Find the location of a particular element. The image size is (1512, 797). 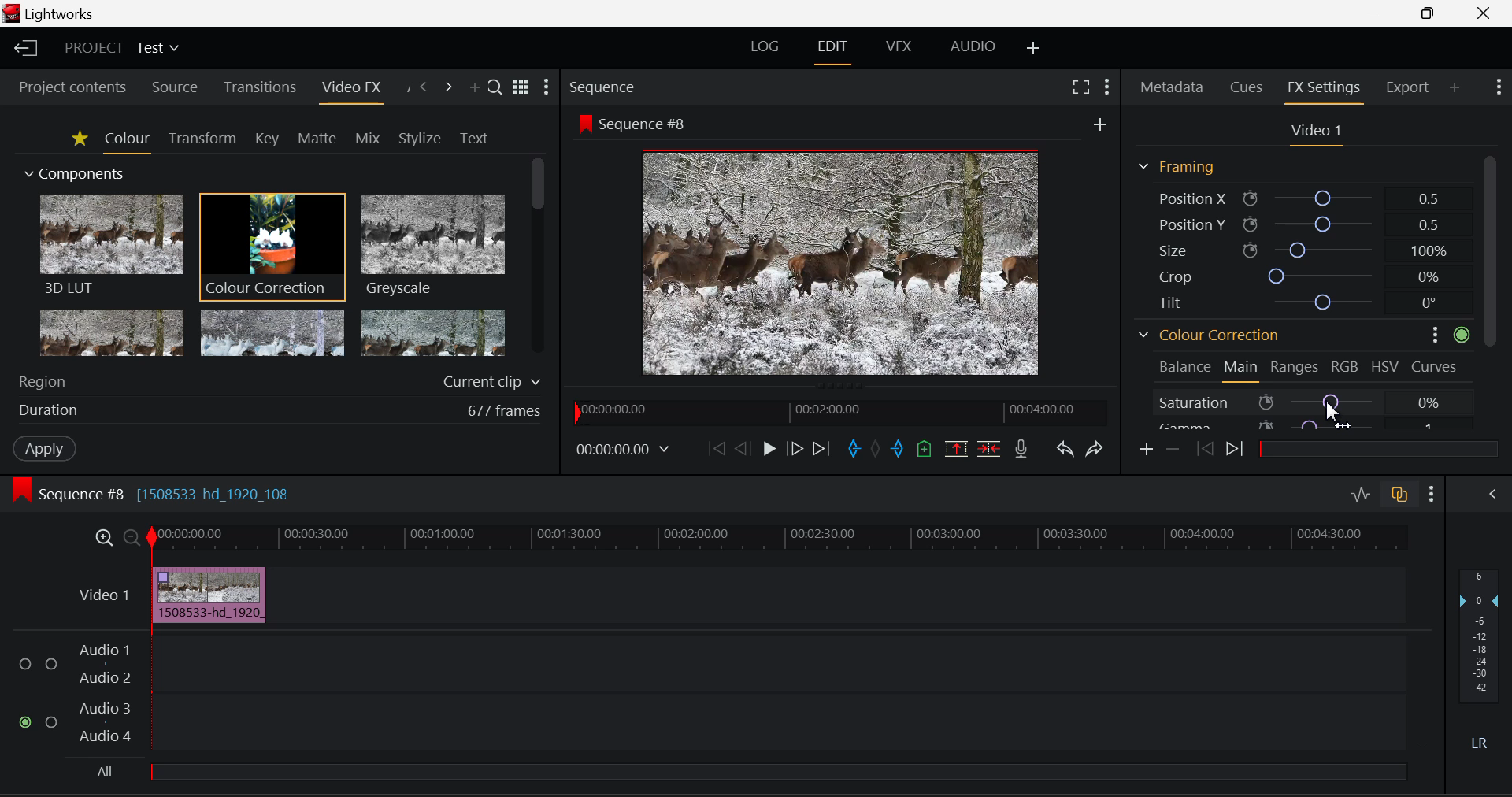

Export is located at coordinates (1408, 87).